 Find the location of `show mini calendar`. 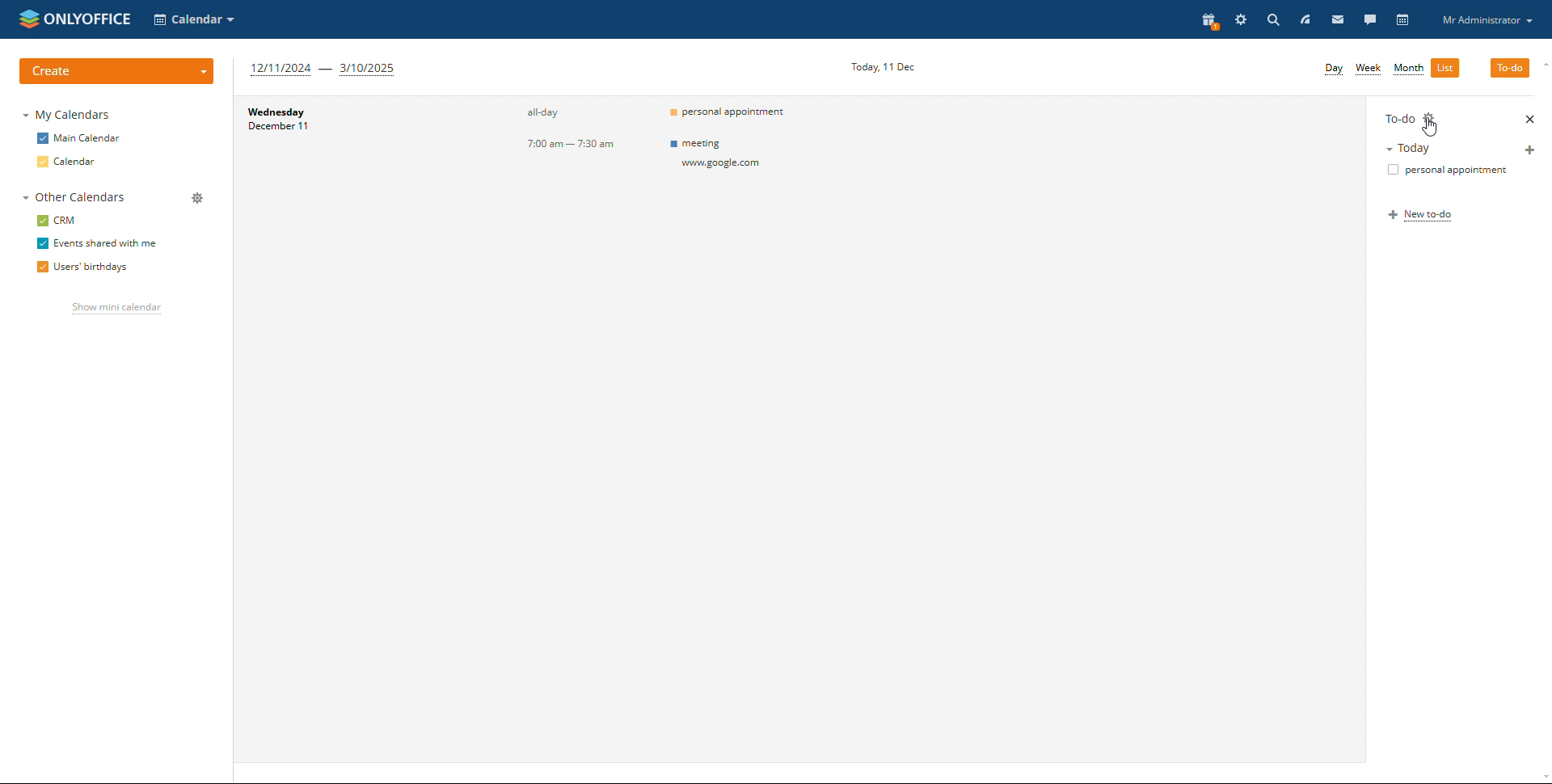

show mini calendar is located at coordinates (115, 309).